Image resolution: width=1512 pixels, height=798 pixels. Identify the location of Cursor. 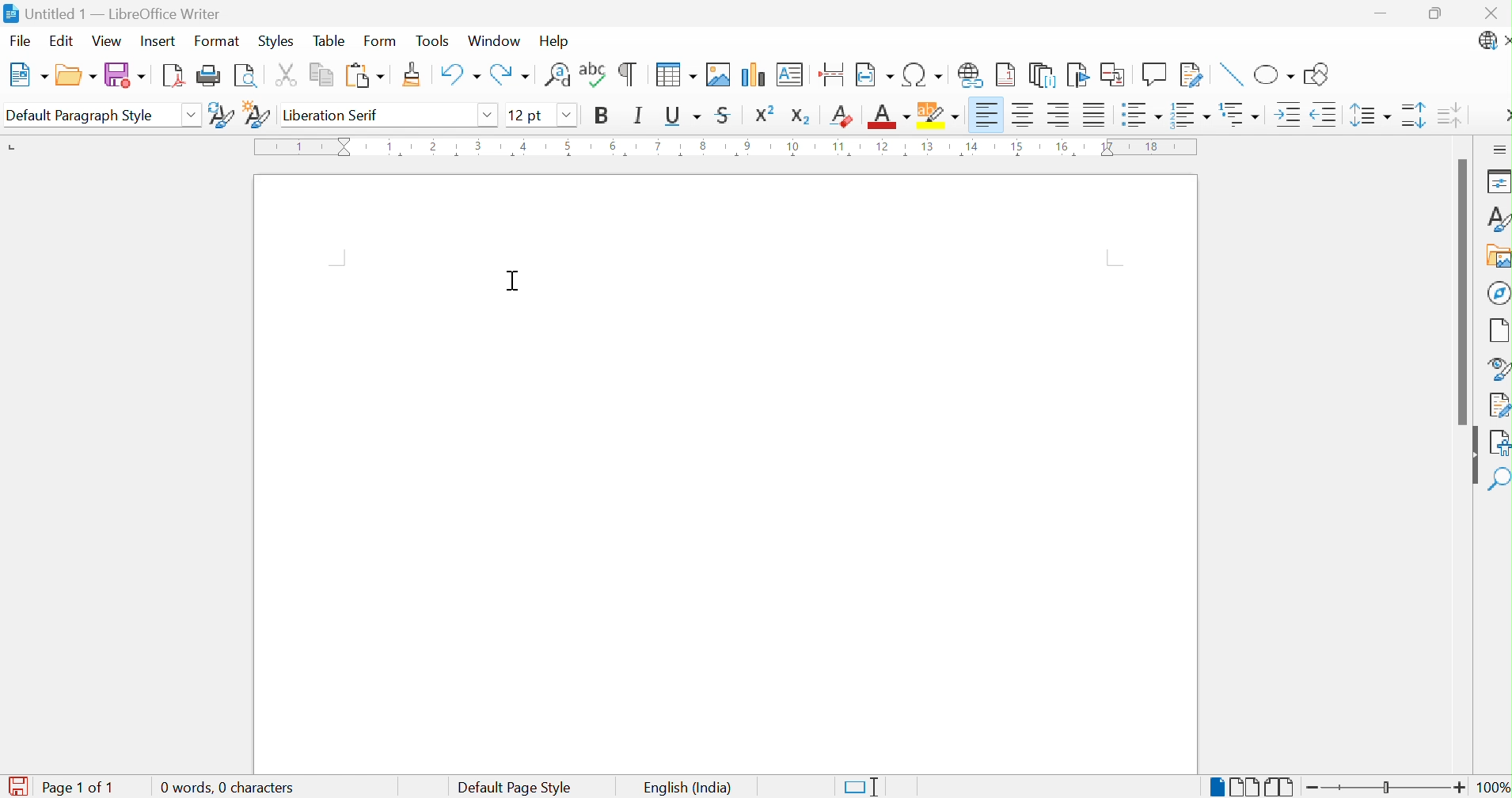
(514, 282).